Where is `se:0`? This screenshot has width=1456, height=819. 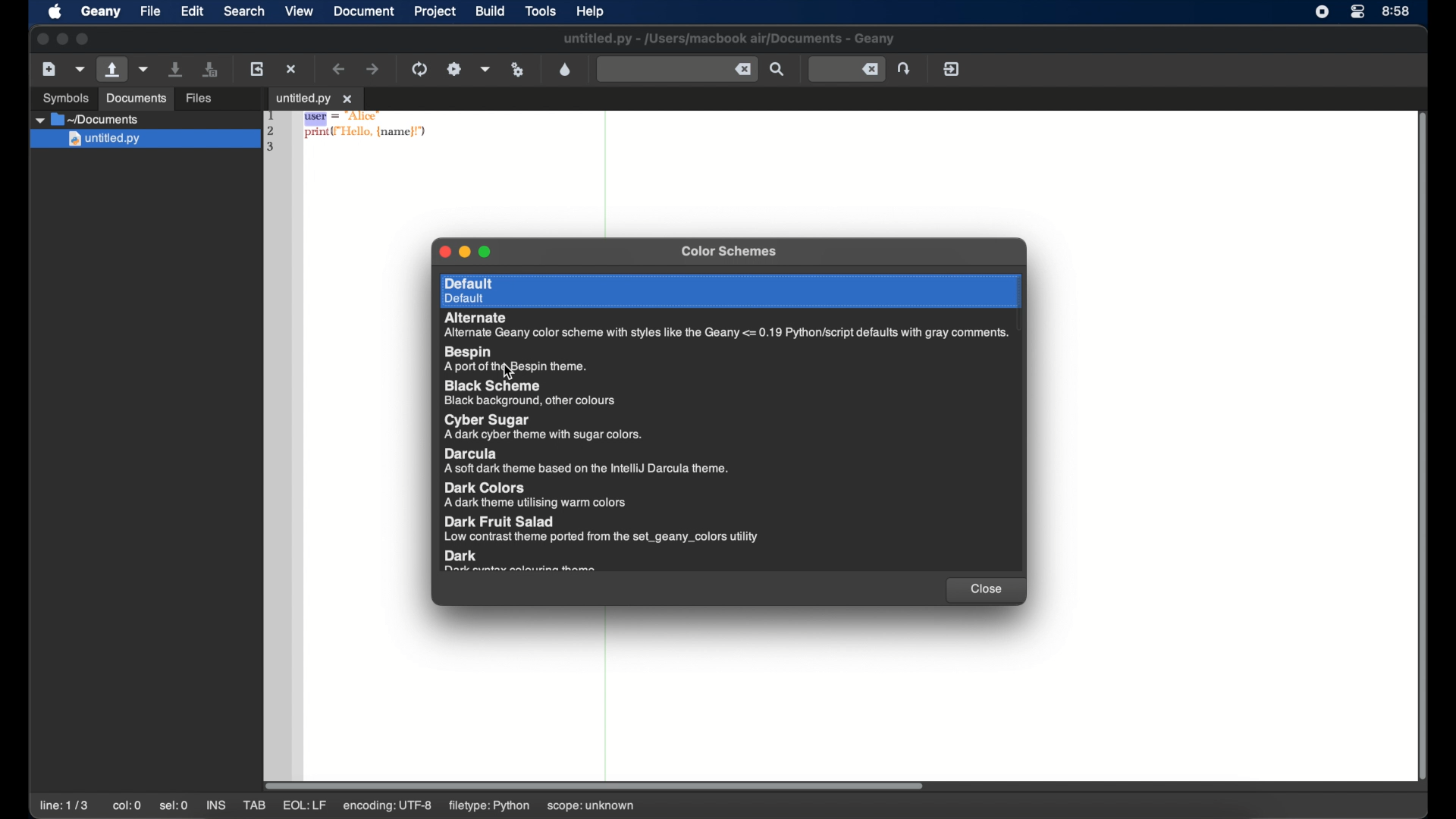 se:0 is located at coordinates (174, 805).